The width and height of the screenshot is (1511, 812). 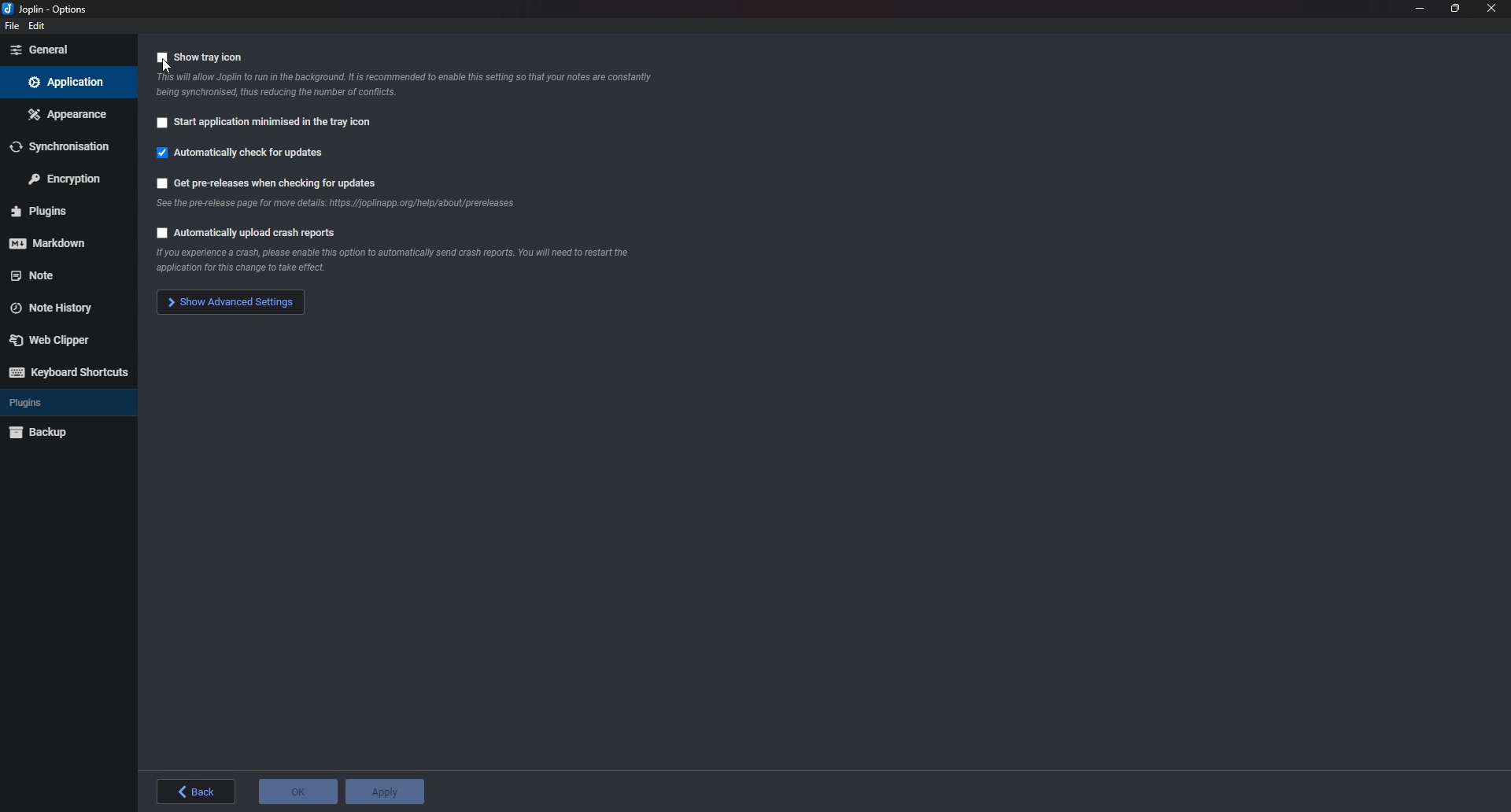 What do you see at coordinates (56, 244) in the screenshot?
I see `markdown` at bounding box center [56, 244].